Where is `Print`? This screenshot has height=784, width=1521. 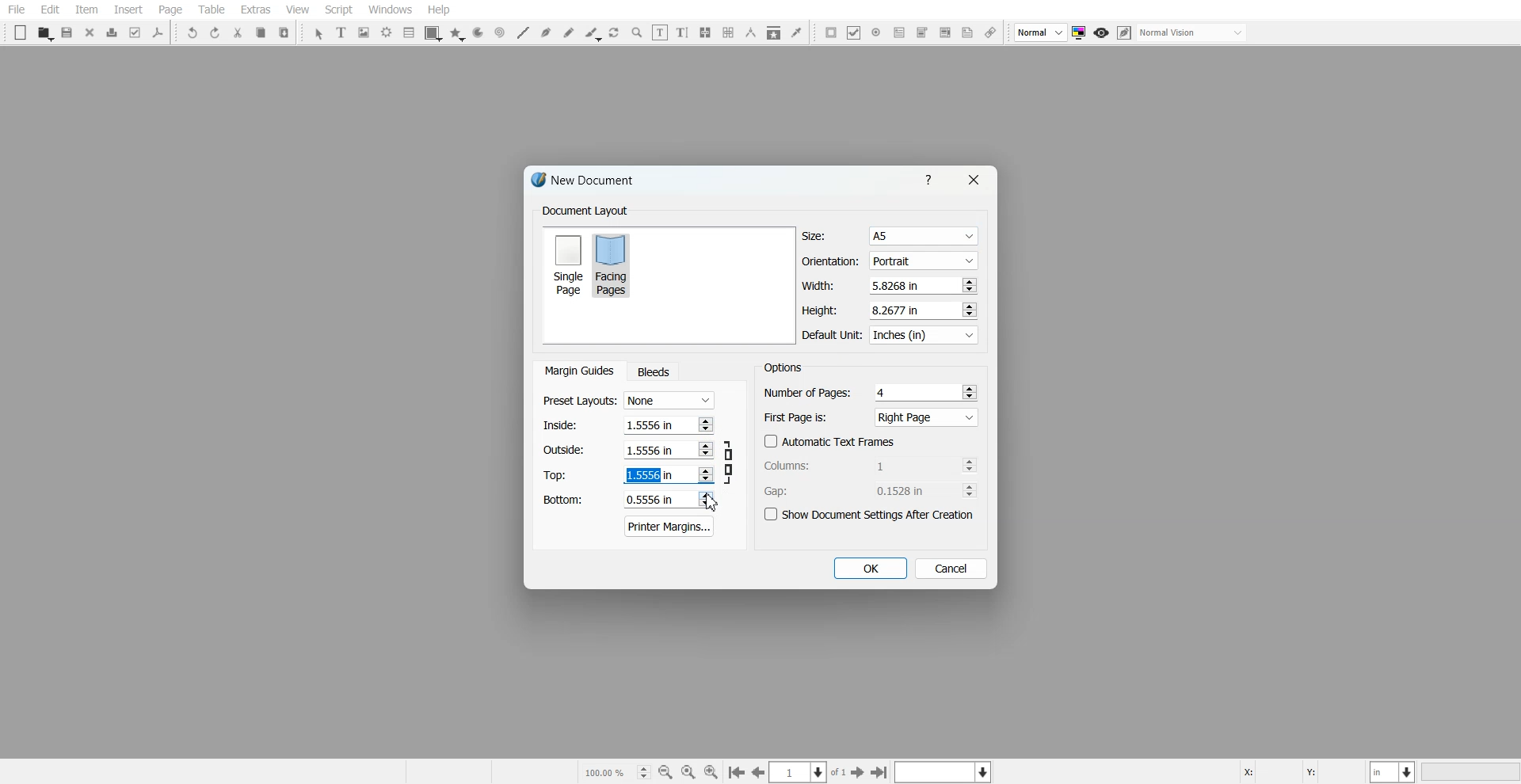 Print is located at coordinates (112, 32).